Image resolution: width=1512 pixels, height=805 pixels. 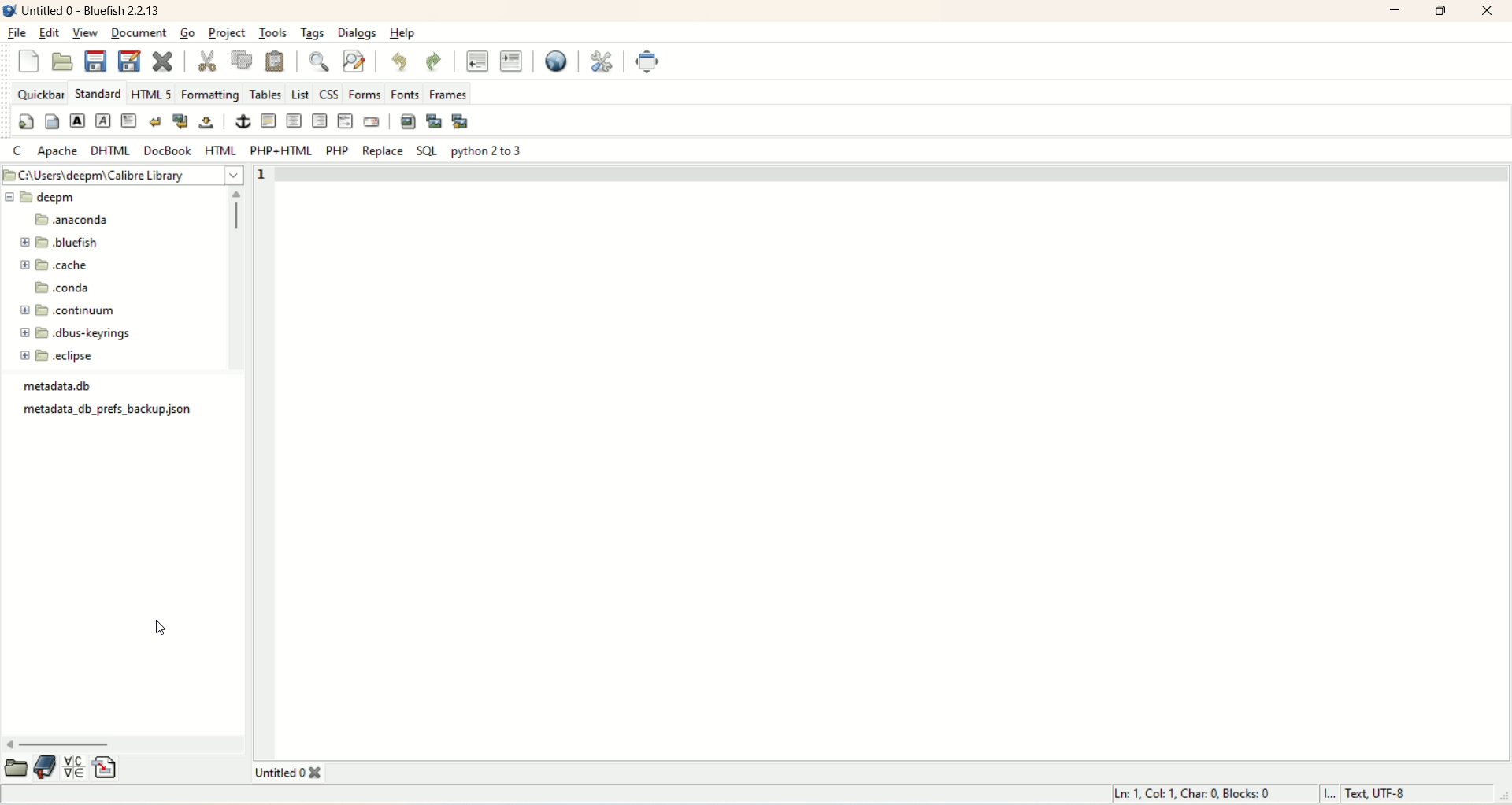 What do you see at coordinates (603, 61) in the screenshot?
I see `edit preferences` at bounding box center [603, 61].